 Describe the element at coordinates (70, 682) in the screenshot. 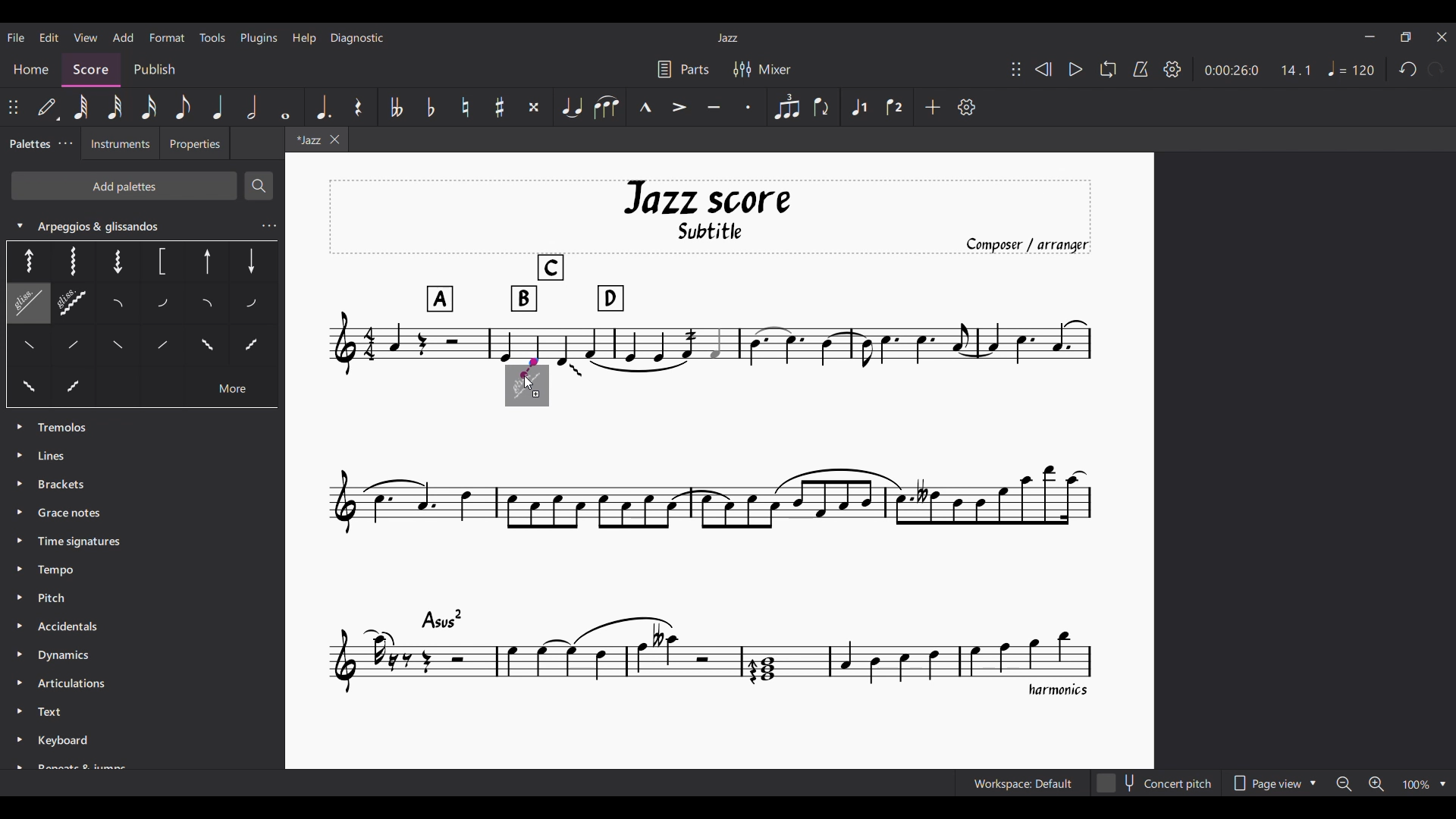

I see `Articulations` at that location.